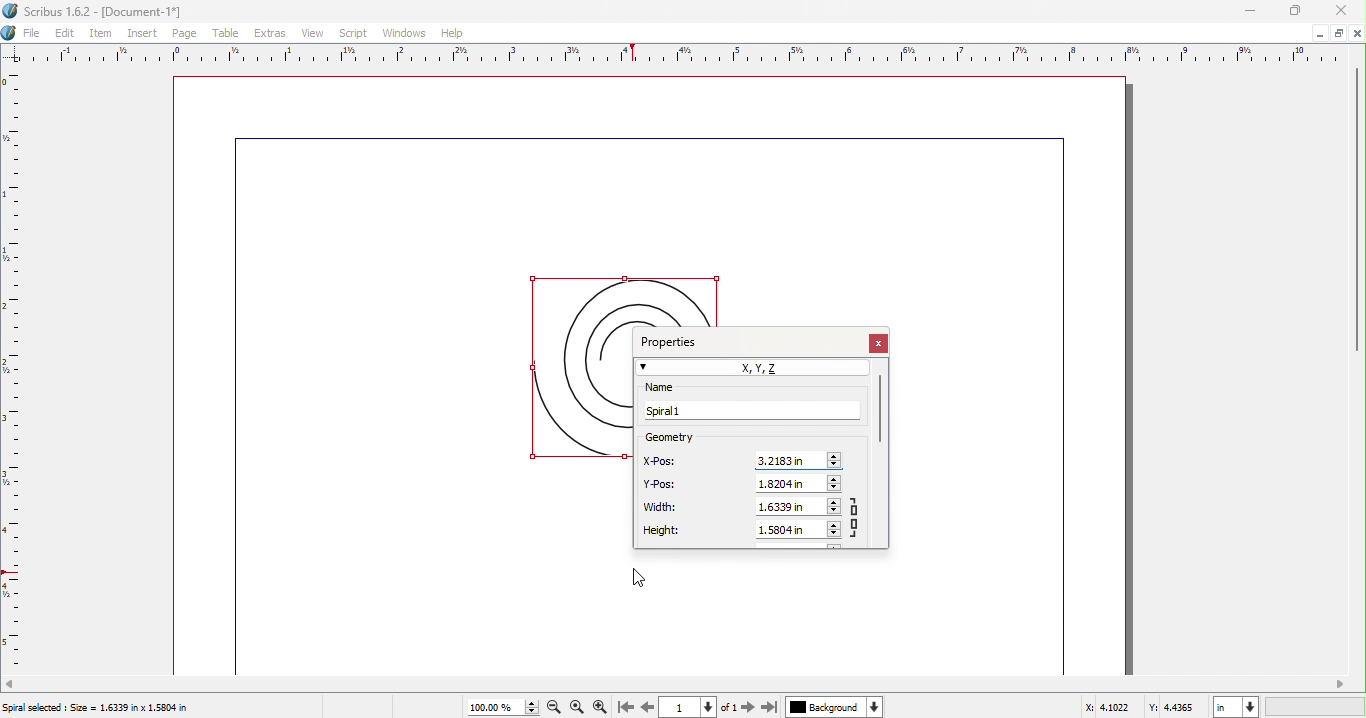  Describe the element at coordinates (661, 508) in the screenshot. I see `width` at that location.